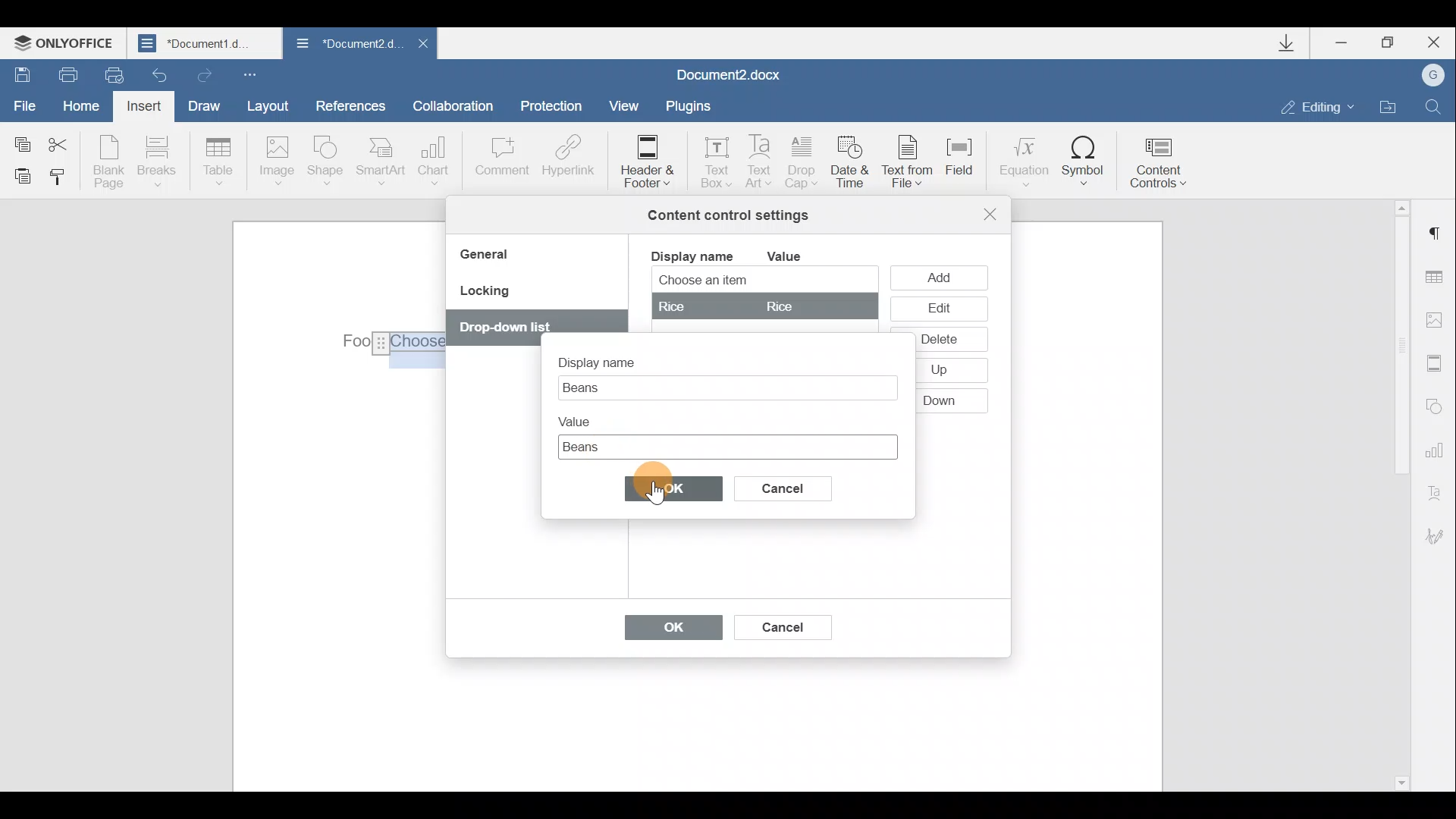 Image resolution: width=1456 pixels, height=819 pixels. What do you see at coordinates (387, 343) in the screenshot?
I see `` at bounding box center [387, 343].